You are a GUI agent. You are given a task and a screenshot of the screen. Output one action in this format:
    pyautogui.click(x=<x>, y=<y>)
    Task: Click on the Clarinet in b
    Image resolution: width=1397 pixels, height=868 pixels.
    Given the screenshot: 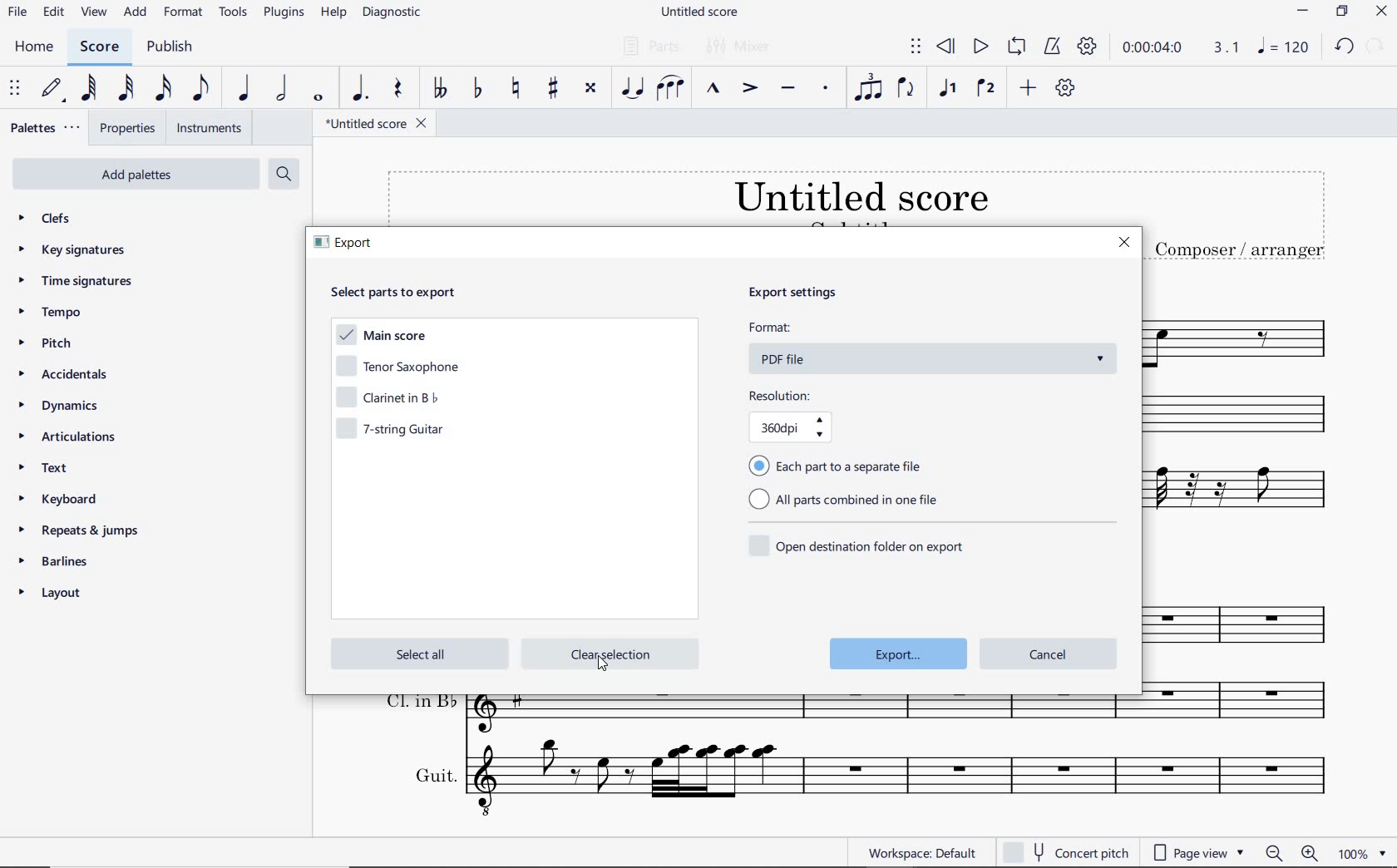 What is the action you would take?
    pyautogui.click(x=1249, y=416)
    